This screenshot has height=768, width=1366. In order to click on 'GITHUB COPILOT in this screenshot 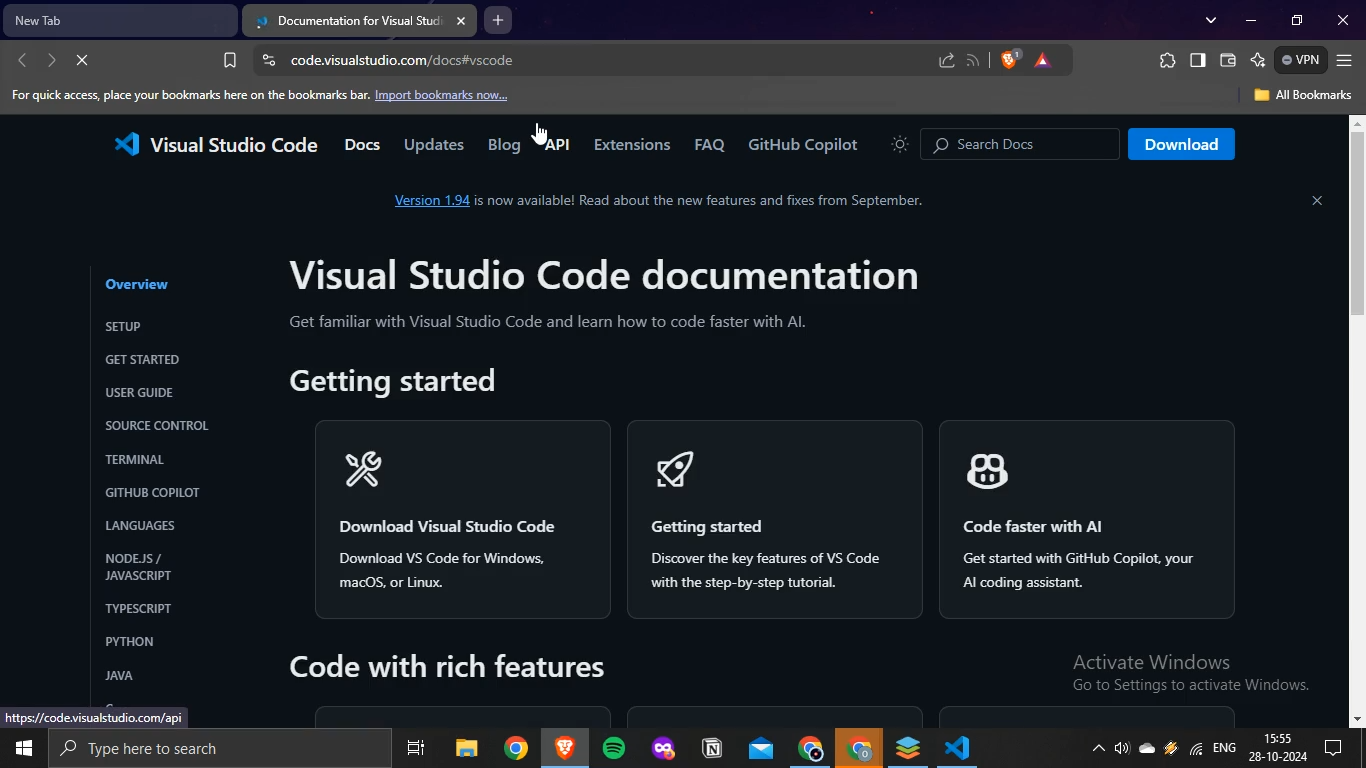, I will do `click(151, 494)`.